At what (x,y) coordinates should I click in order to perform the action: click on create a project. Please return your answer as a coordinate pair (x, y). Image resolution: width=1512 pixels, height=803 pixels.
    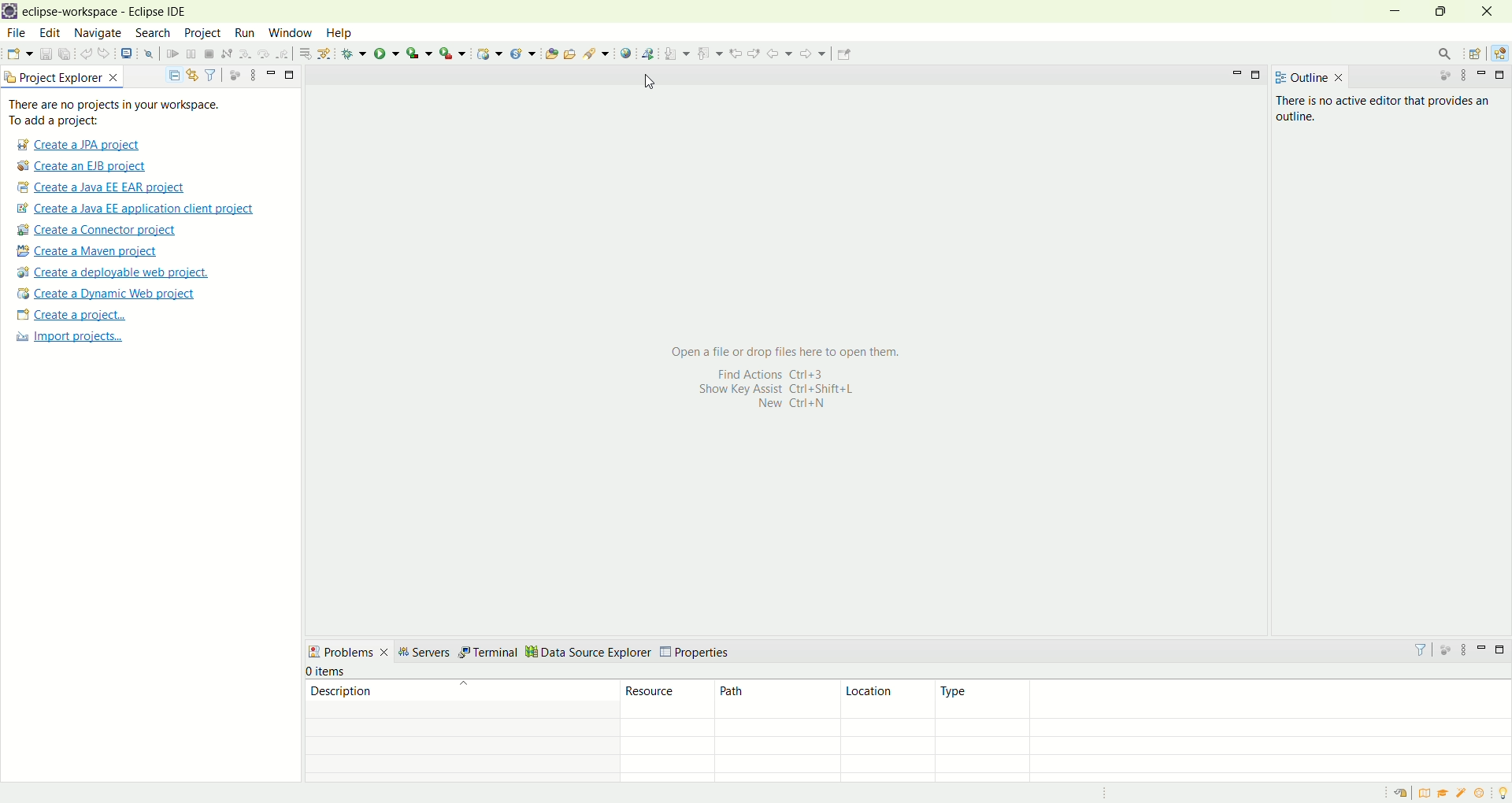
    Looking at the image, I should click on (72, 316).